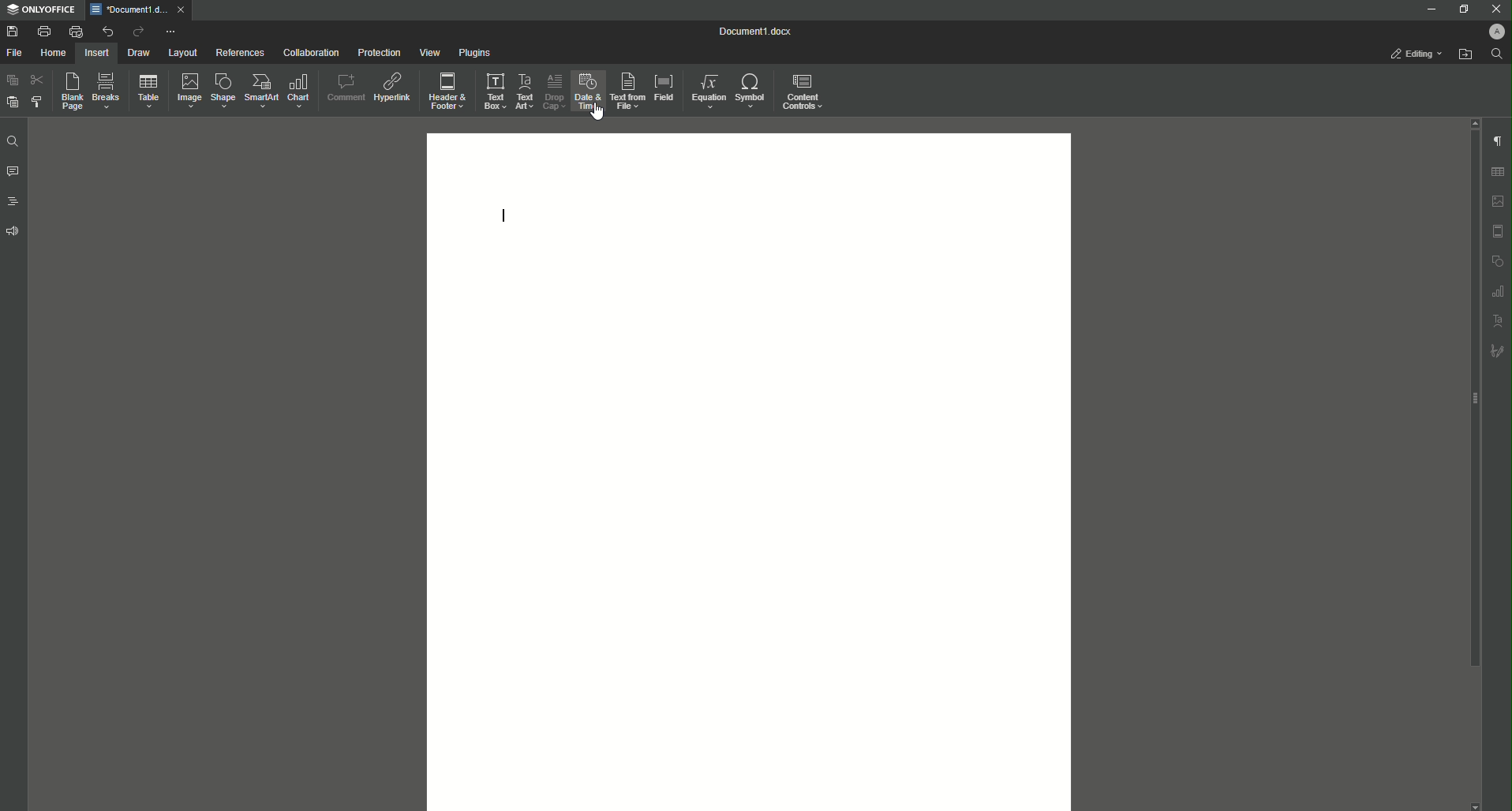 Image resolution: width=1512 pixels, height=811 pixels. Describe the element at coordinates (526, 89) in the screenshot. I see `Text Art` at that location.